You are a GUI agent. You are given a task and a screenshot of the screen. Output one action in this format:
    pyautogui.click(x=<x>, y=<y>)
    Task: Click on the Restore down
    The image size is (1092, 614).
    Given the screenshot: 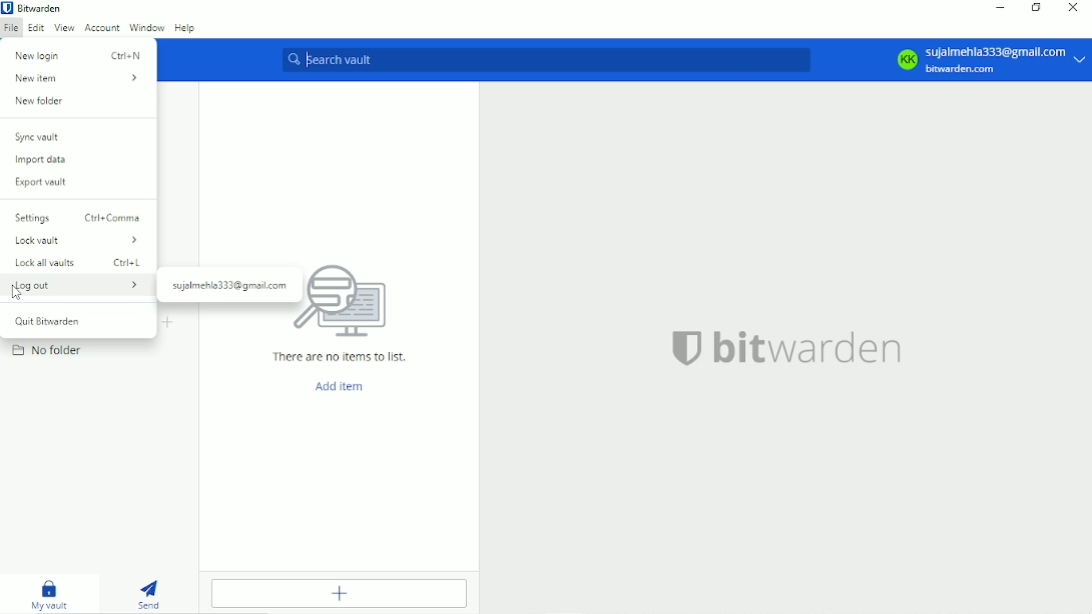 What is the action you would take?
    pyautogui.click(x=1038, y=9)
    